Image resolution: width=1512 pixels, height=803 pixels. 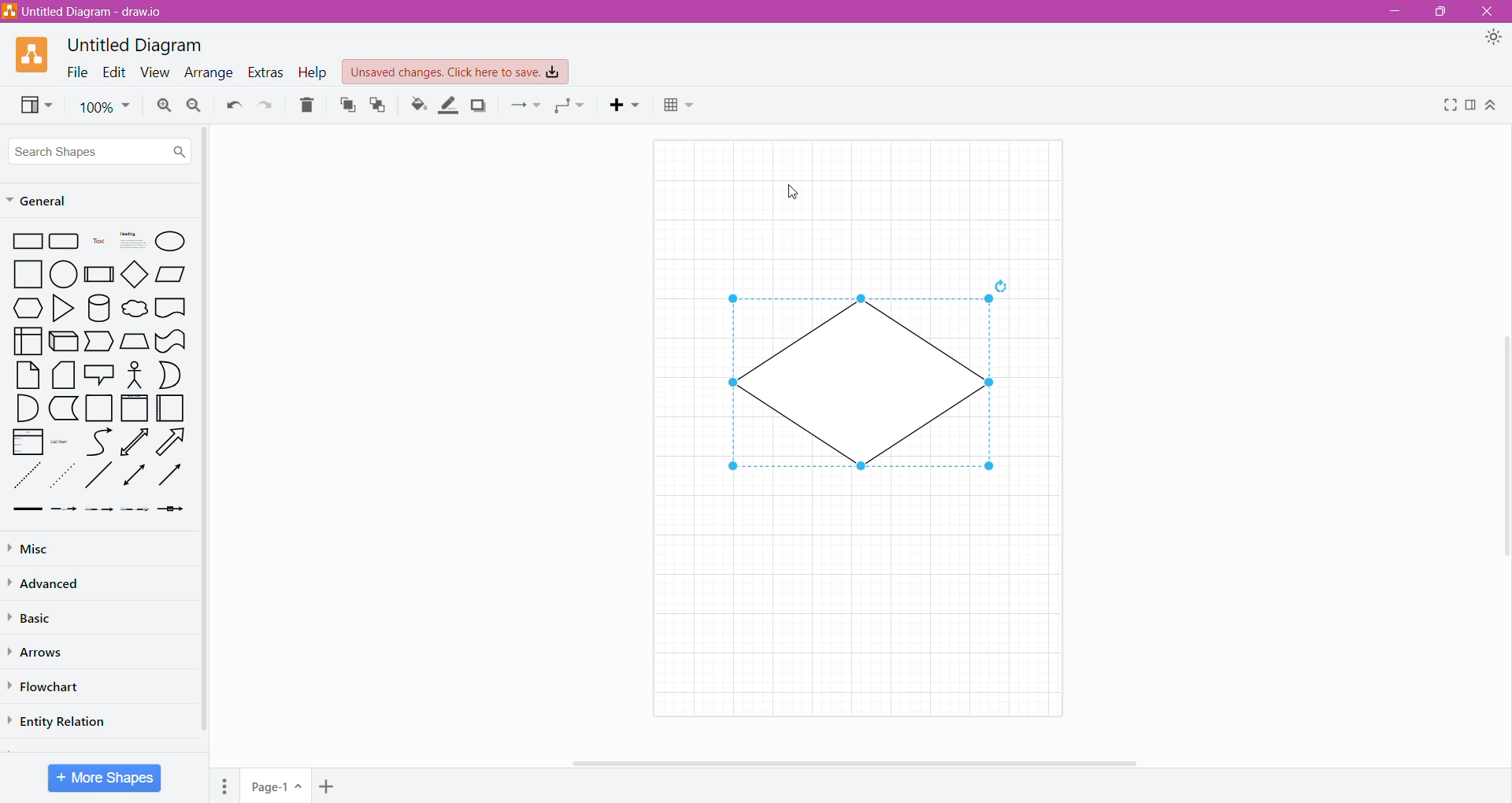 I want to click on Trapezoid, so click(x=134, y=342).